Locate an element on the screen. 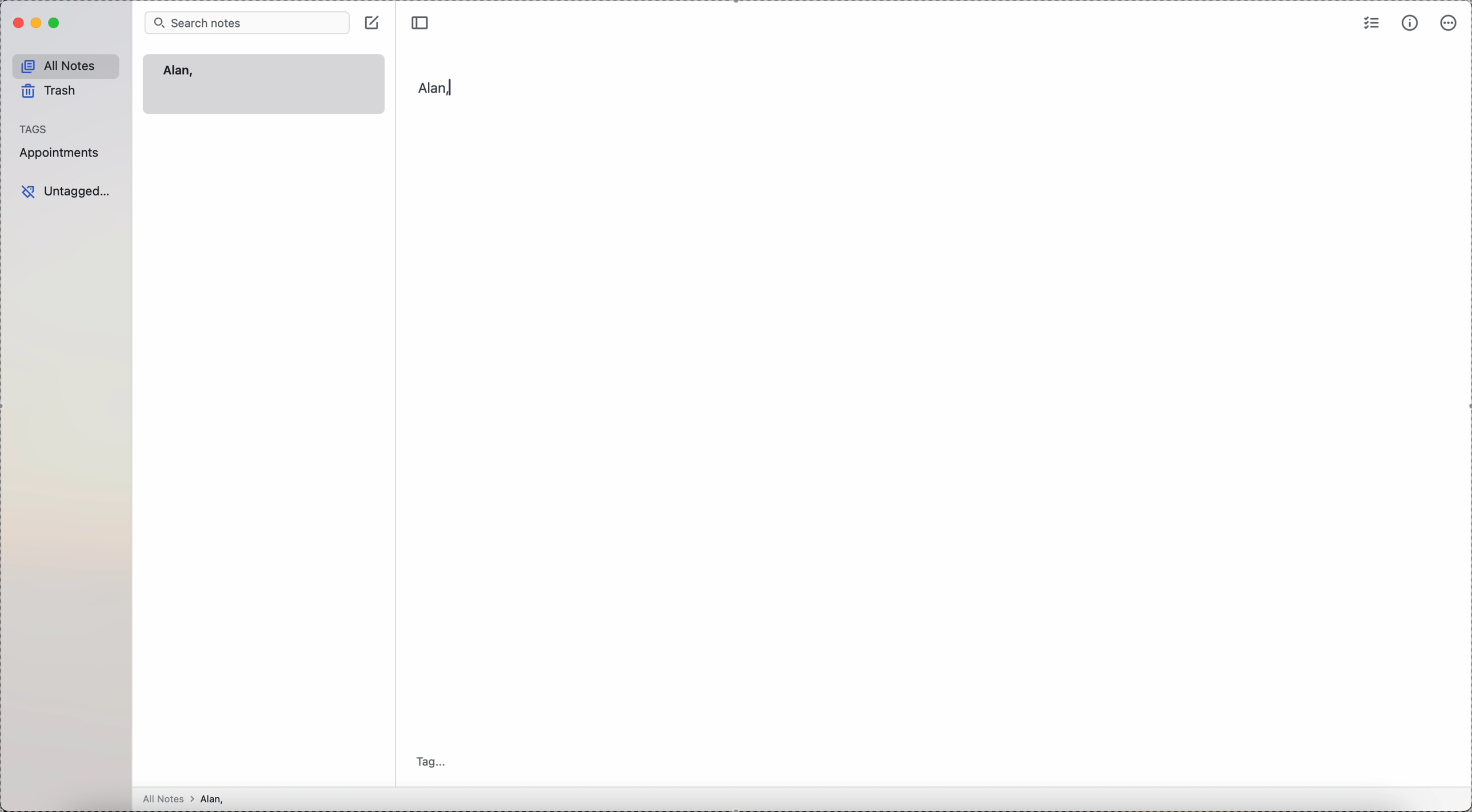 The width and height of the screenshot is (1472, 812). search bar is located at coordinates (247, 22).